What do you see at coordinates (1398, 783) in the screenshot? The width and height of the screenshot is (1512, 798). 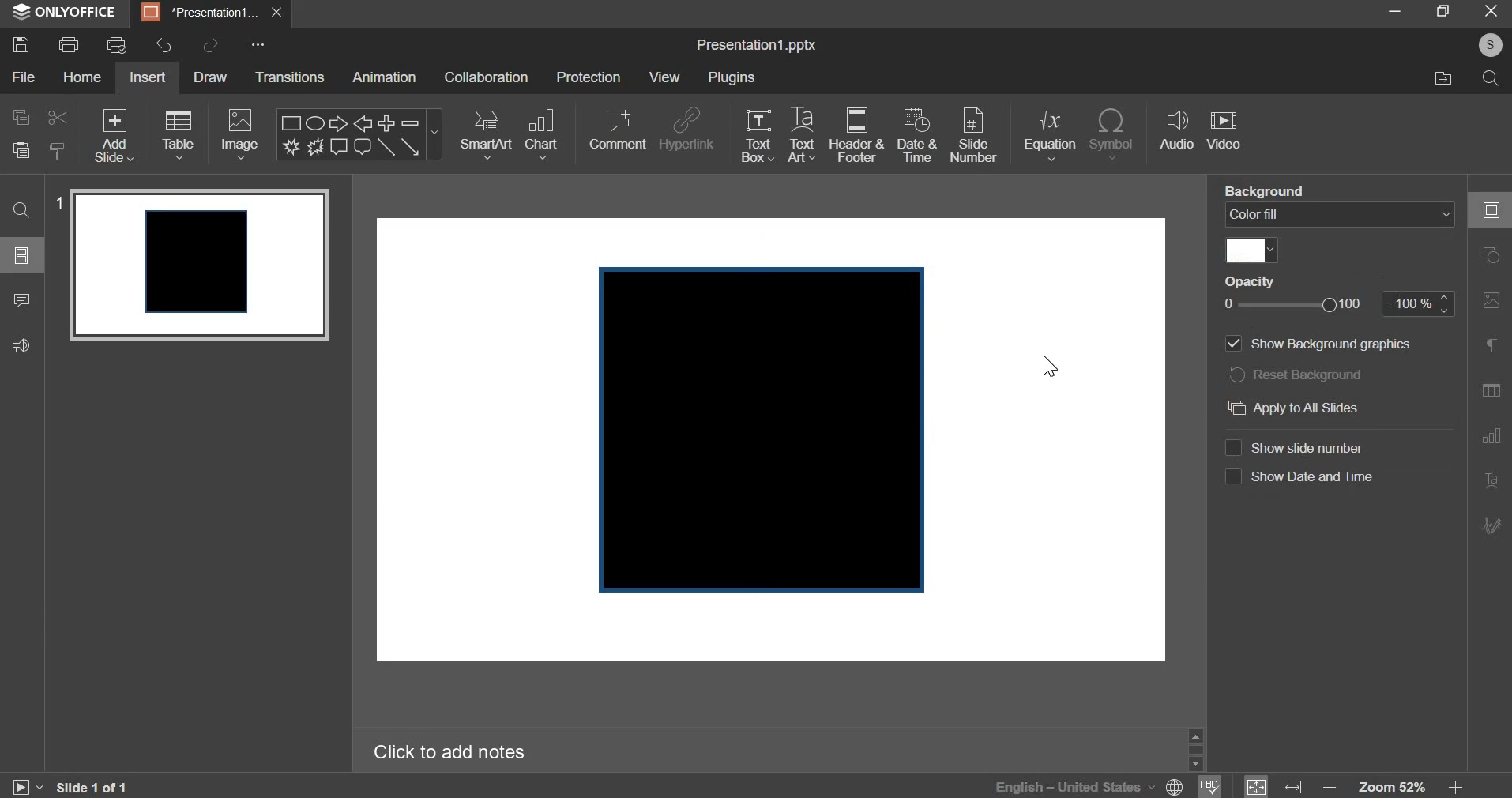 I see `zoom` at bounding box center [1398, 783].